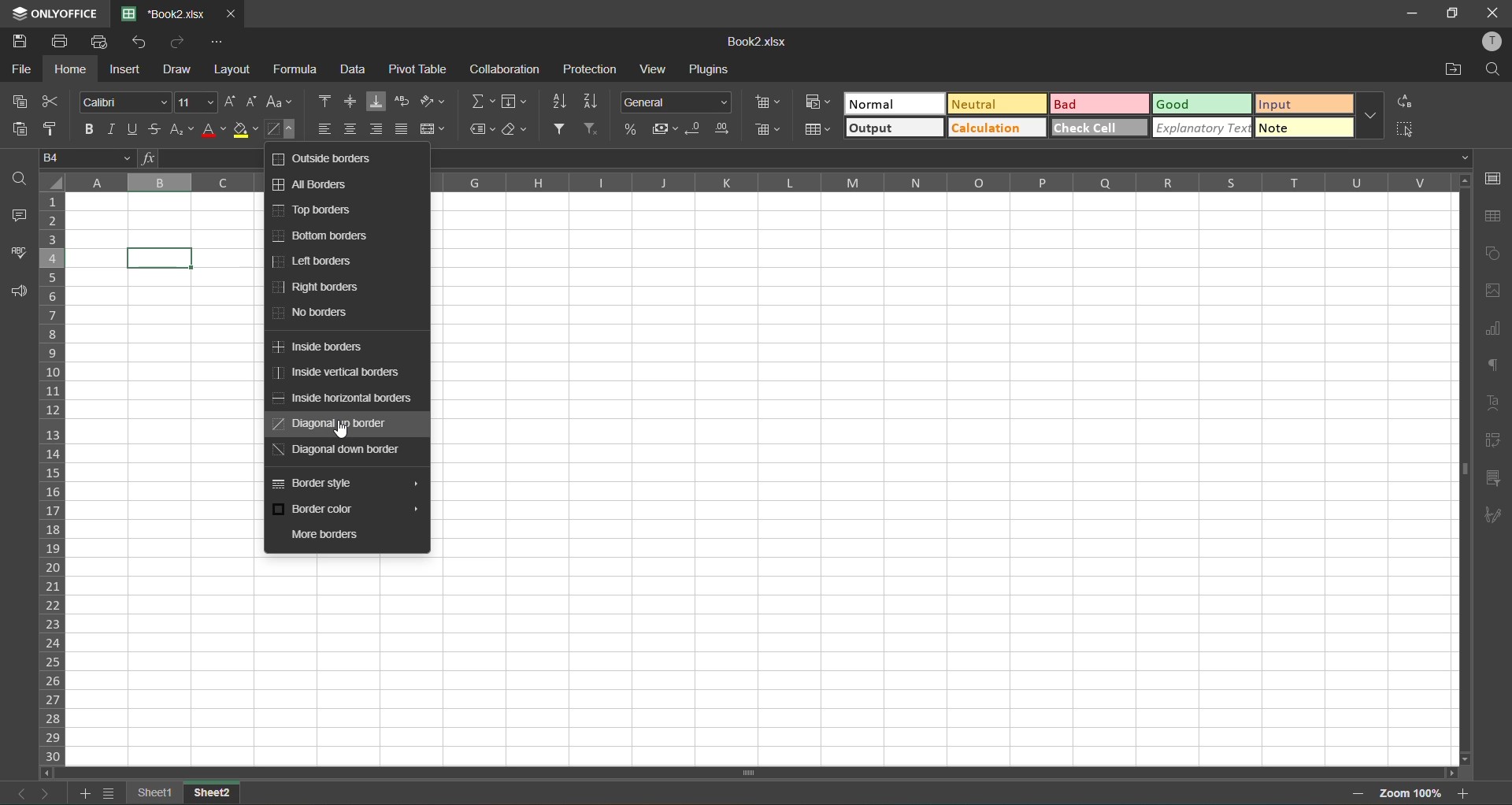 The height and width of the screenshot is (805, 1512). What do you see at coordinates (345, 510) in the screenshot?
I see `border color` at bounding box center [345, 510].